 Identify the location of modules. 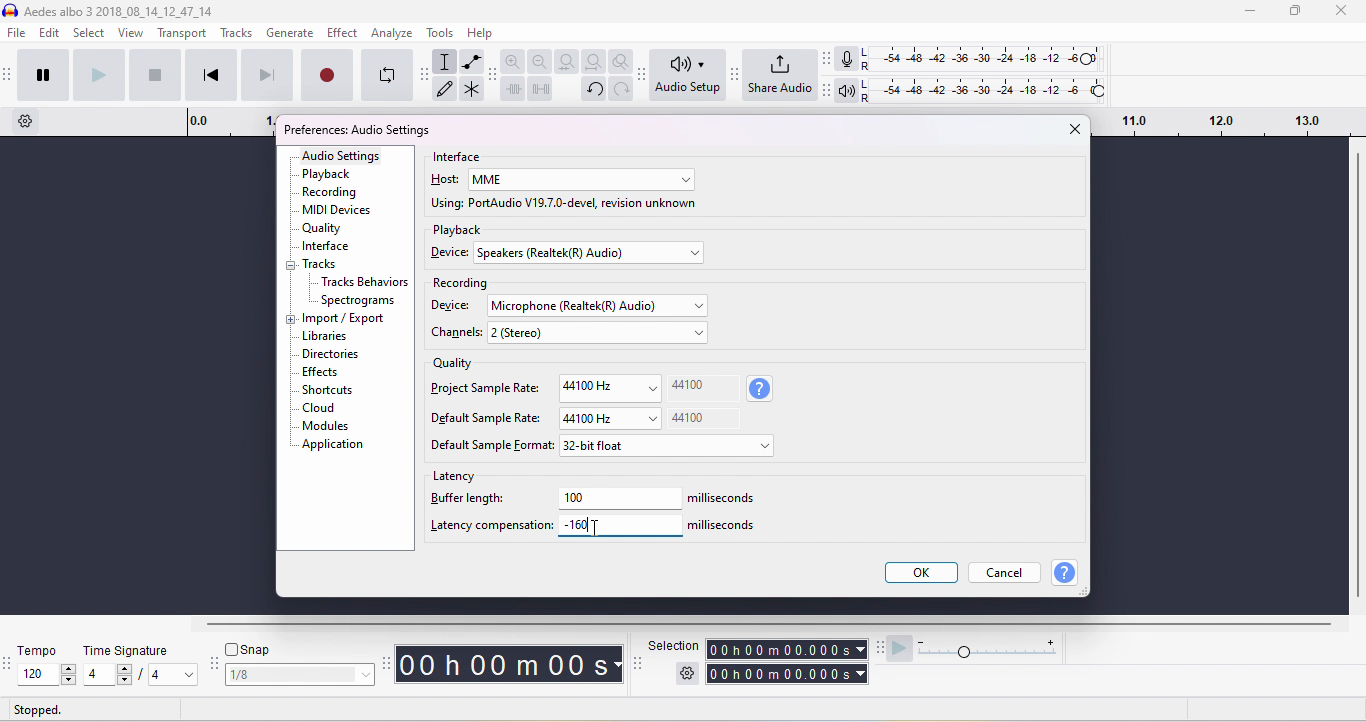
(324, 426).